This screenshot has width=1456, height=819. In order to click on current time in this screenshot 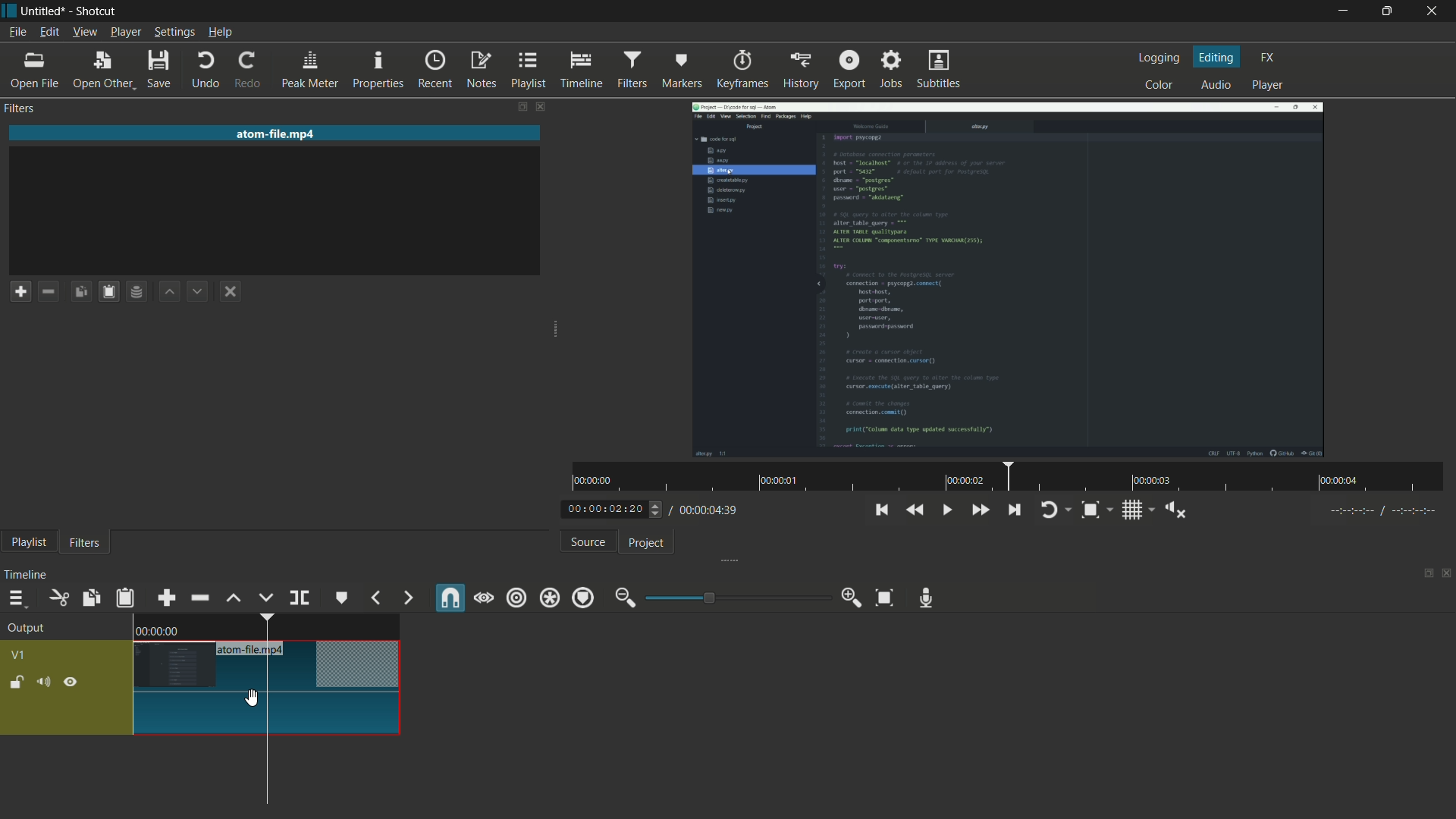, I will do `click(607, 510)`.